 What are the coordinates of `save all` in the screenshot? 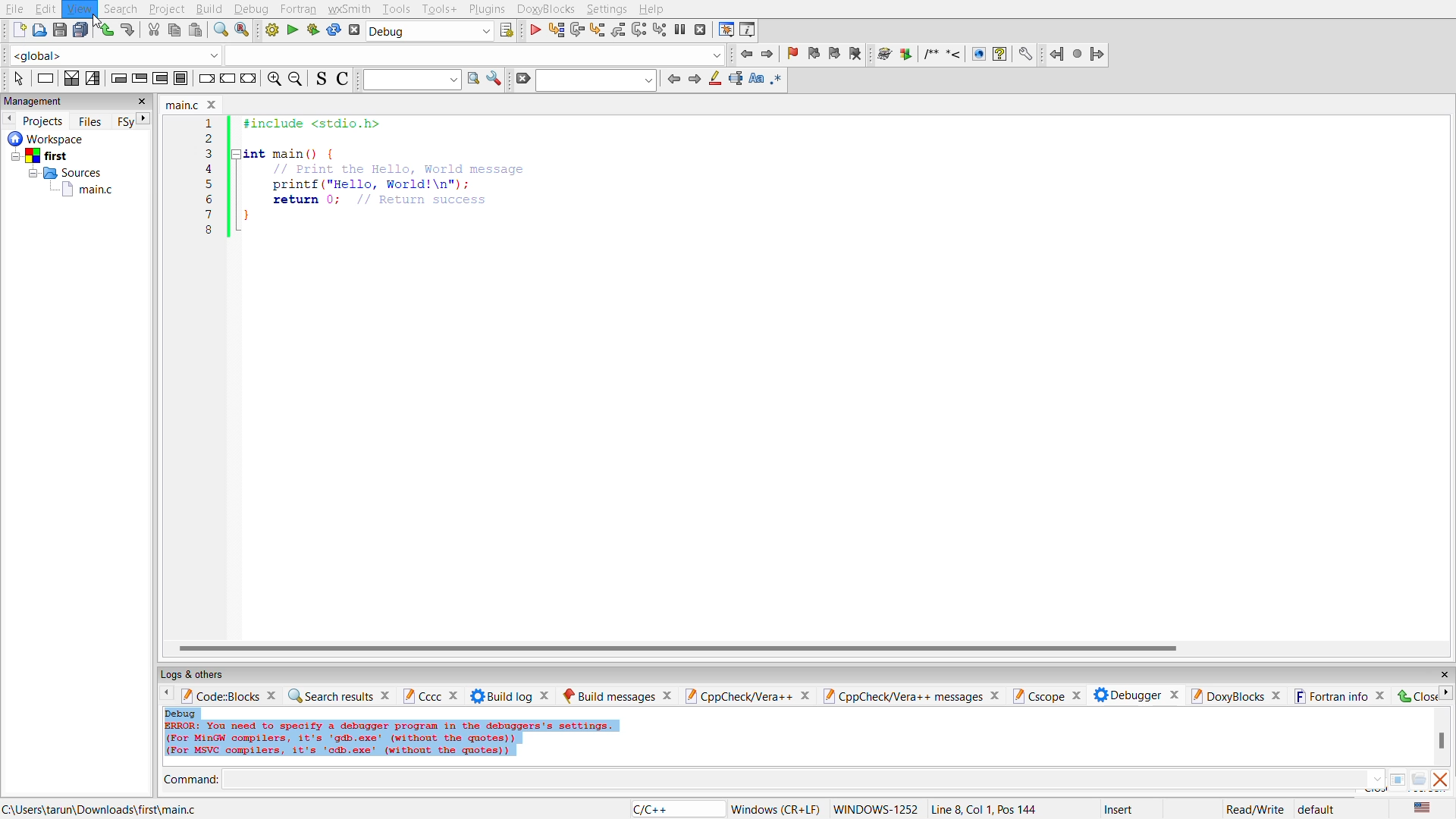 It's located at (79, 30).